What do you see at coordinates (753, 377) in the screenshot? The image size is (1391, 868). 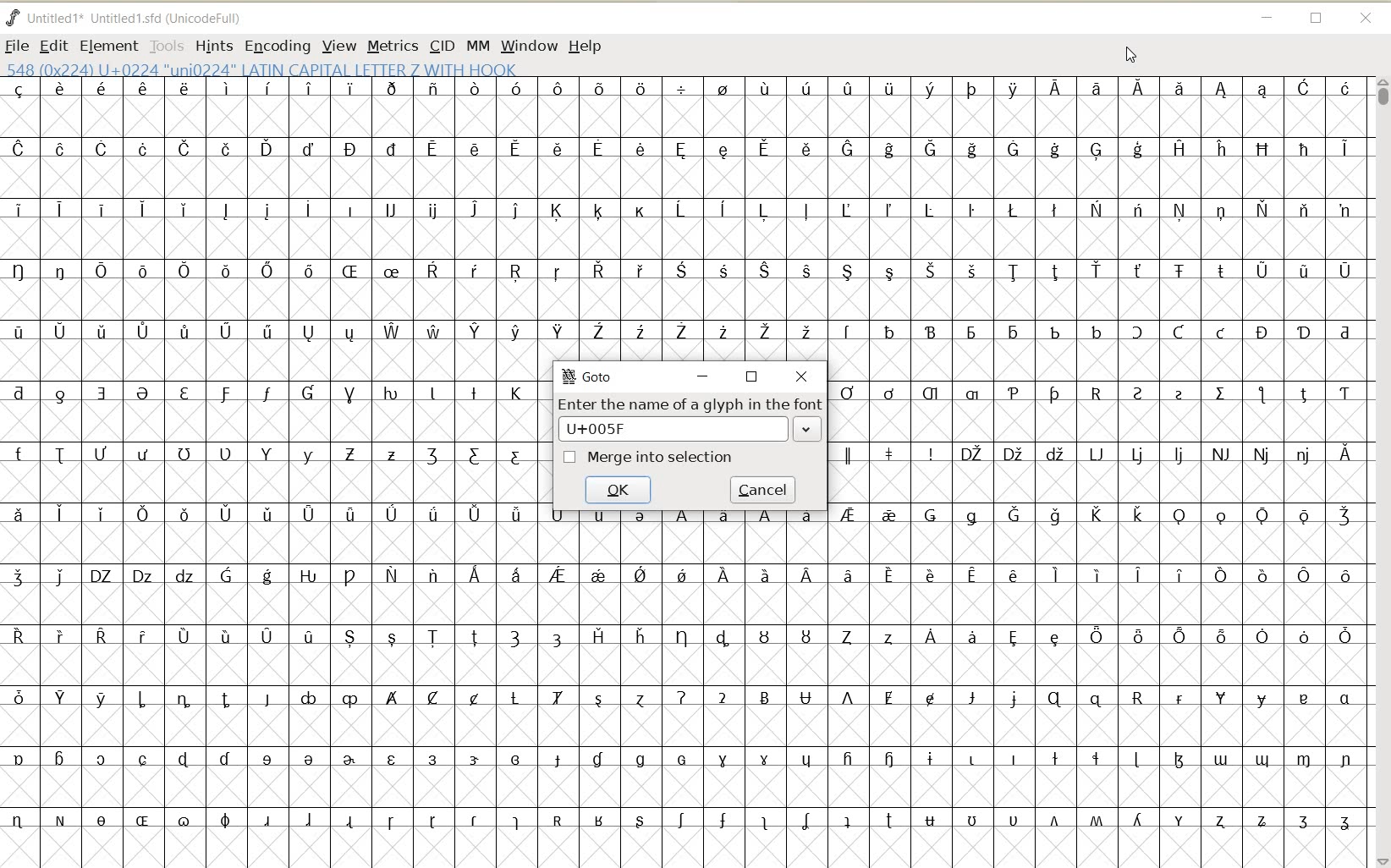 I see `restore` at bounding box center [753, 377].